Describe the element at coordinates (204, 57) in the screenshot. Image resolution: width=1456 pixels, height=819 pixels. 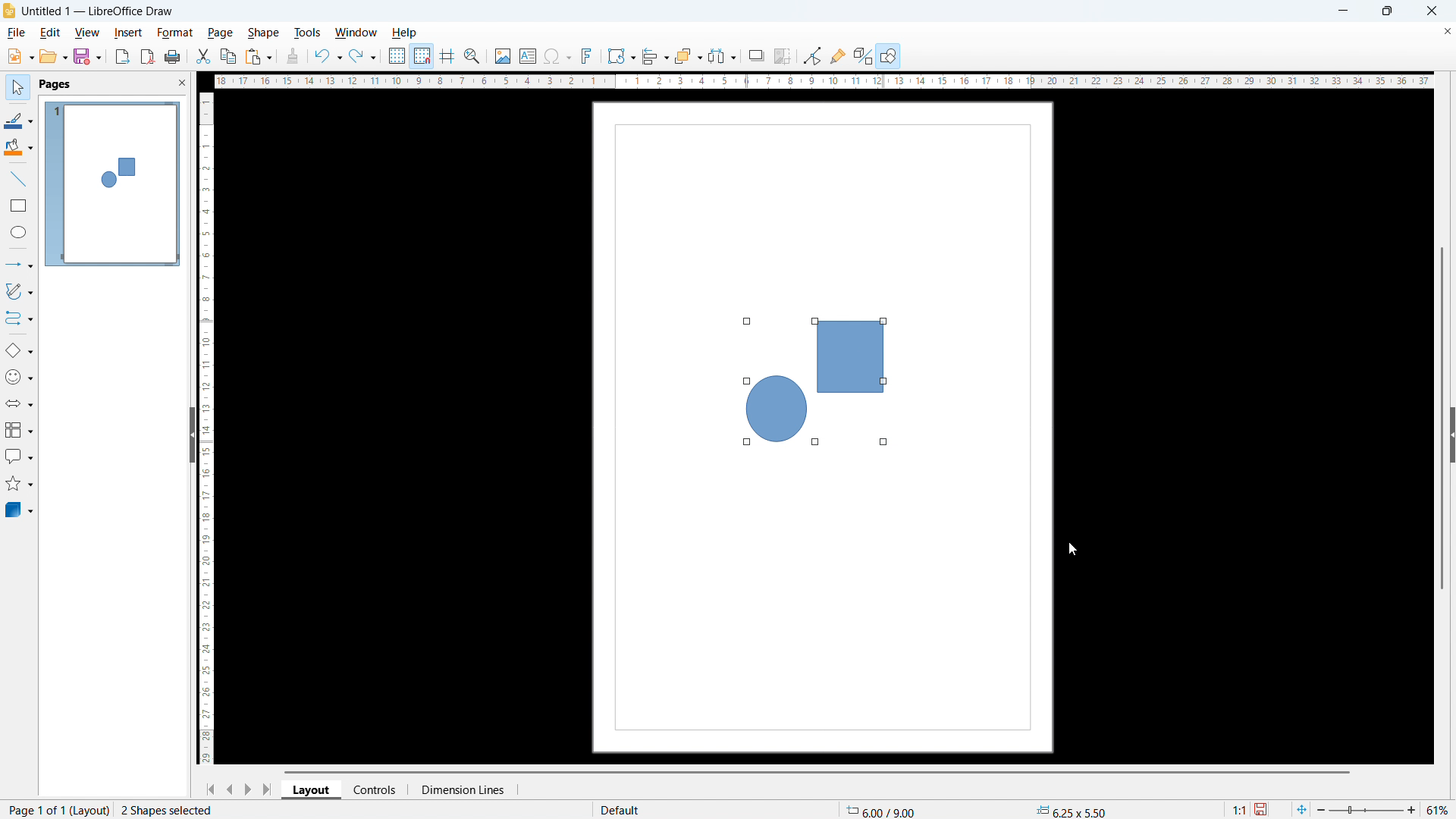
I see `cut` at that location.